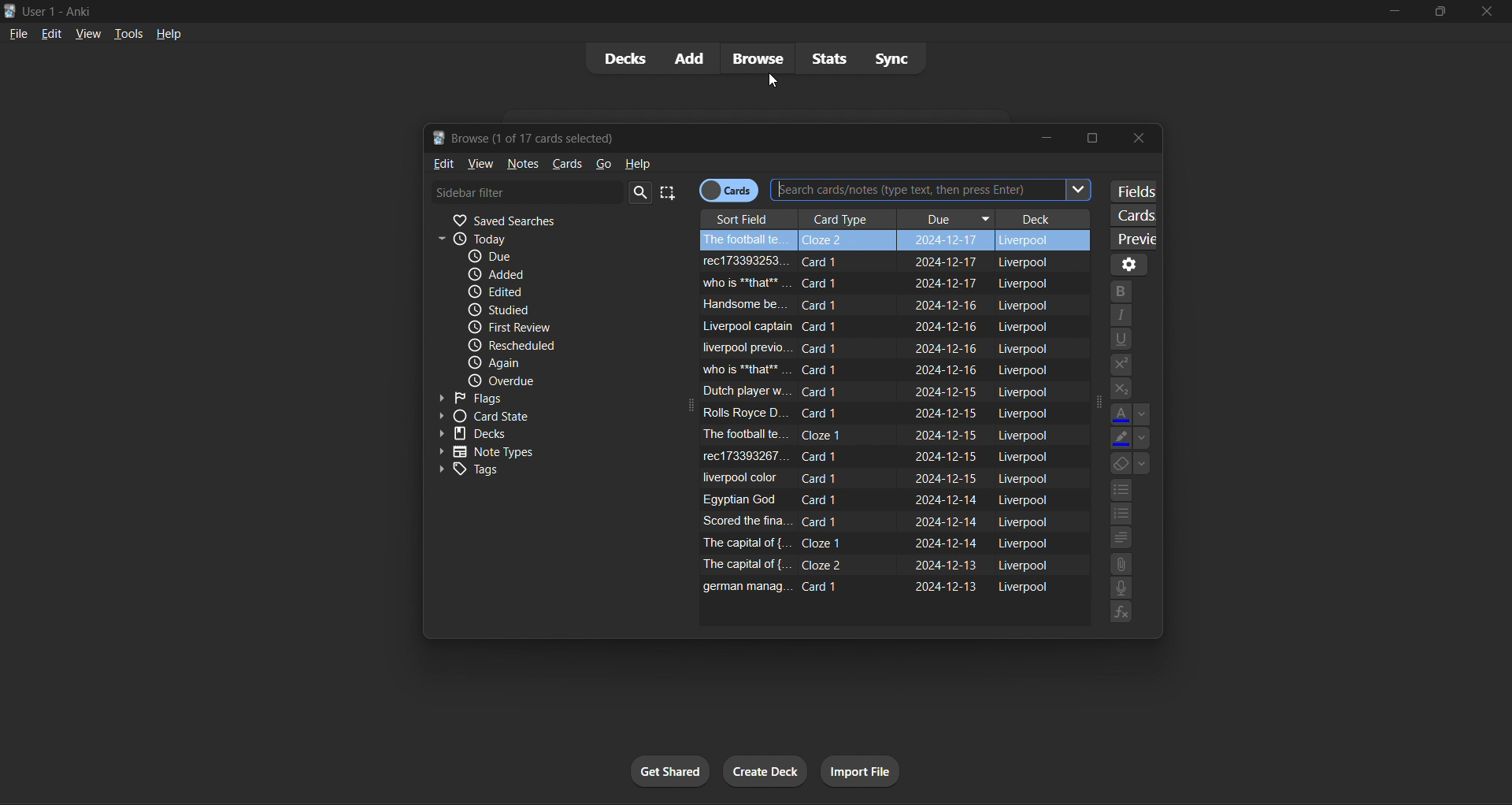  Describe the element at coordinates (687, 408) in the screenshot. I see `expand icon` at that location.